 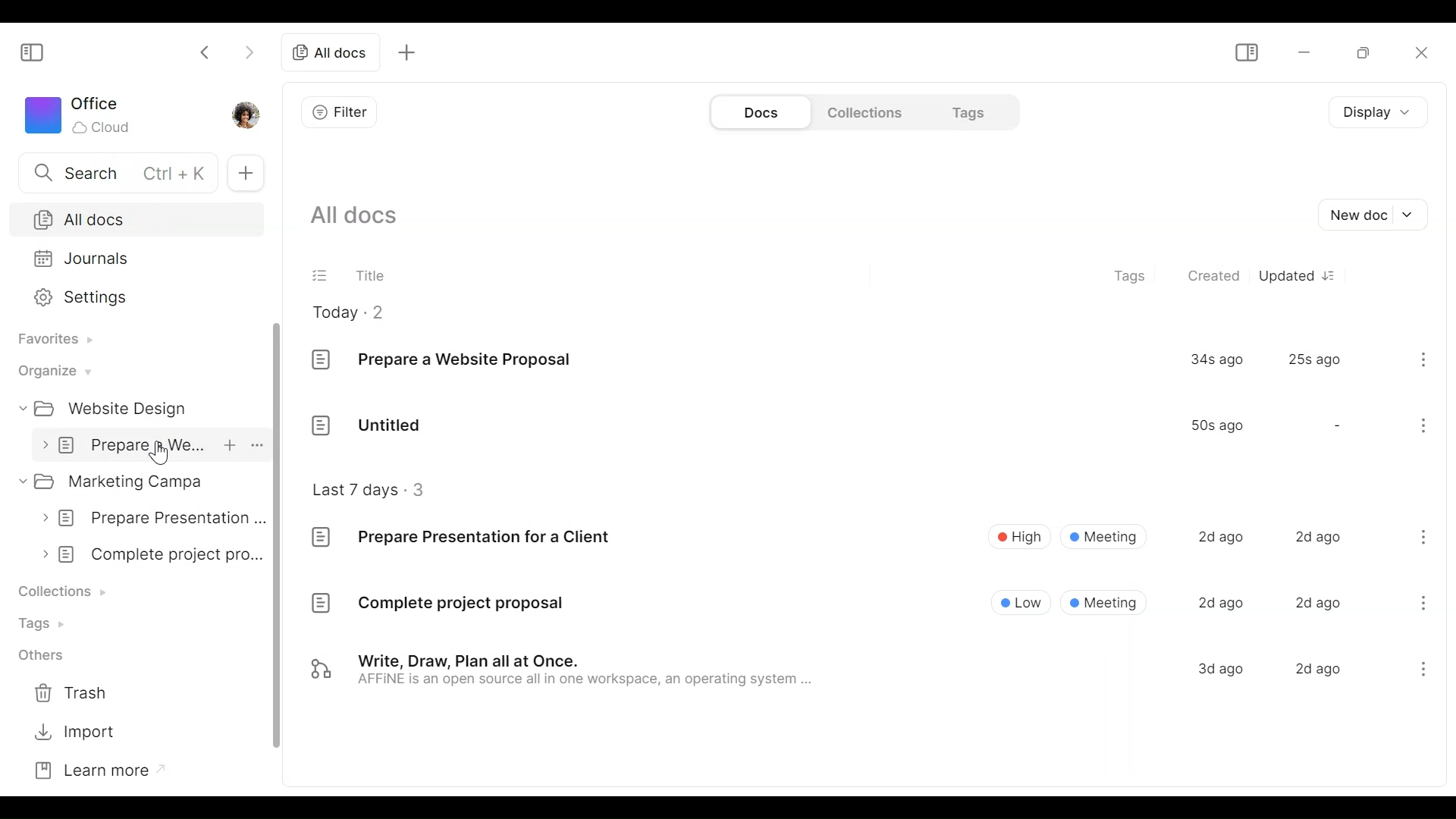 I want to click on Updated, so click(x=1284, y=275).